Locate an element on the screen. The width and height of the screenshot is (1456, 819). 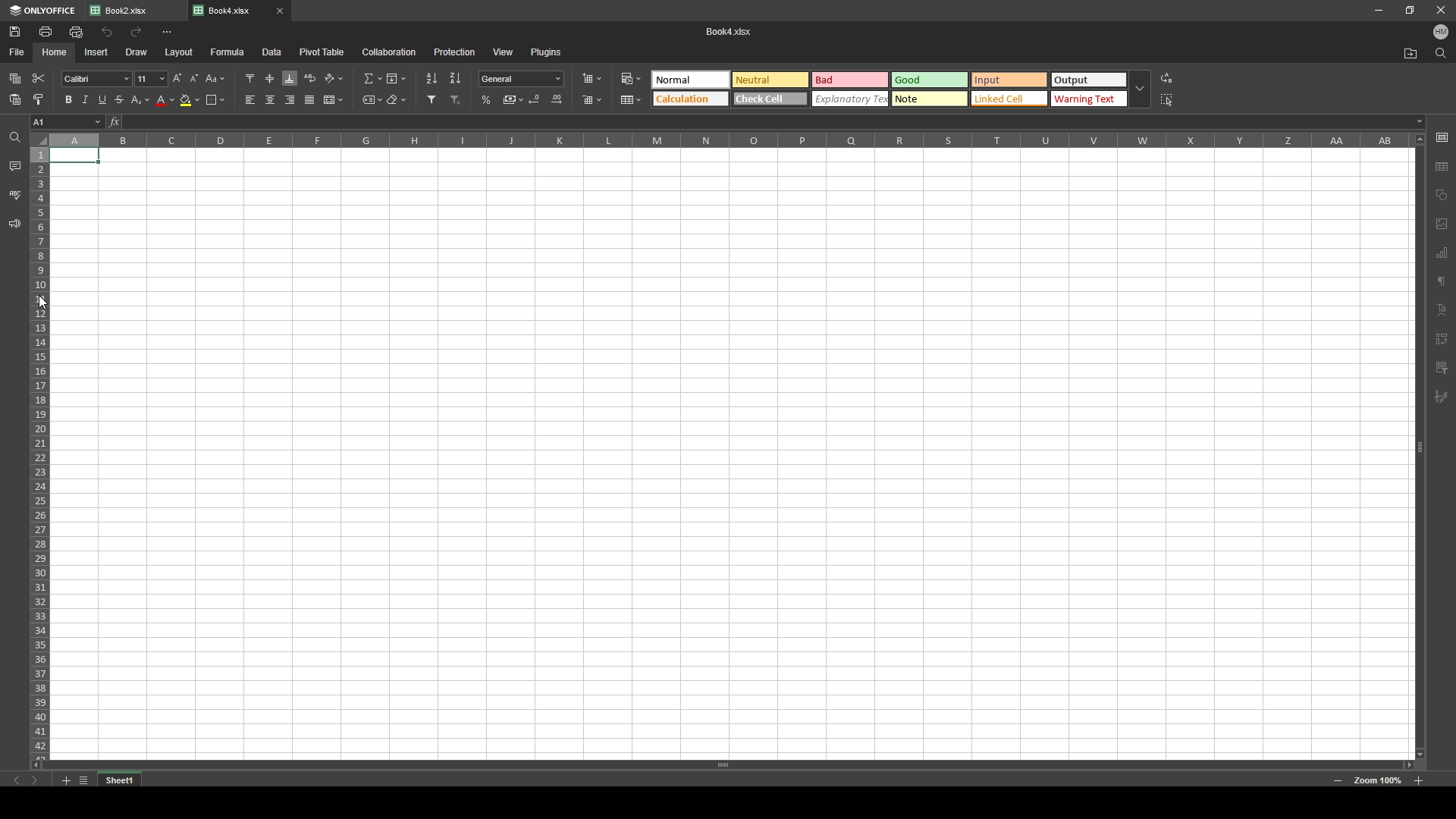
close is located at coordinates (1439, 10).